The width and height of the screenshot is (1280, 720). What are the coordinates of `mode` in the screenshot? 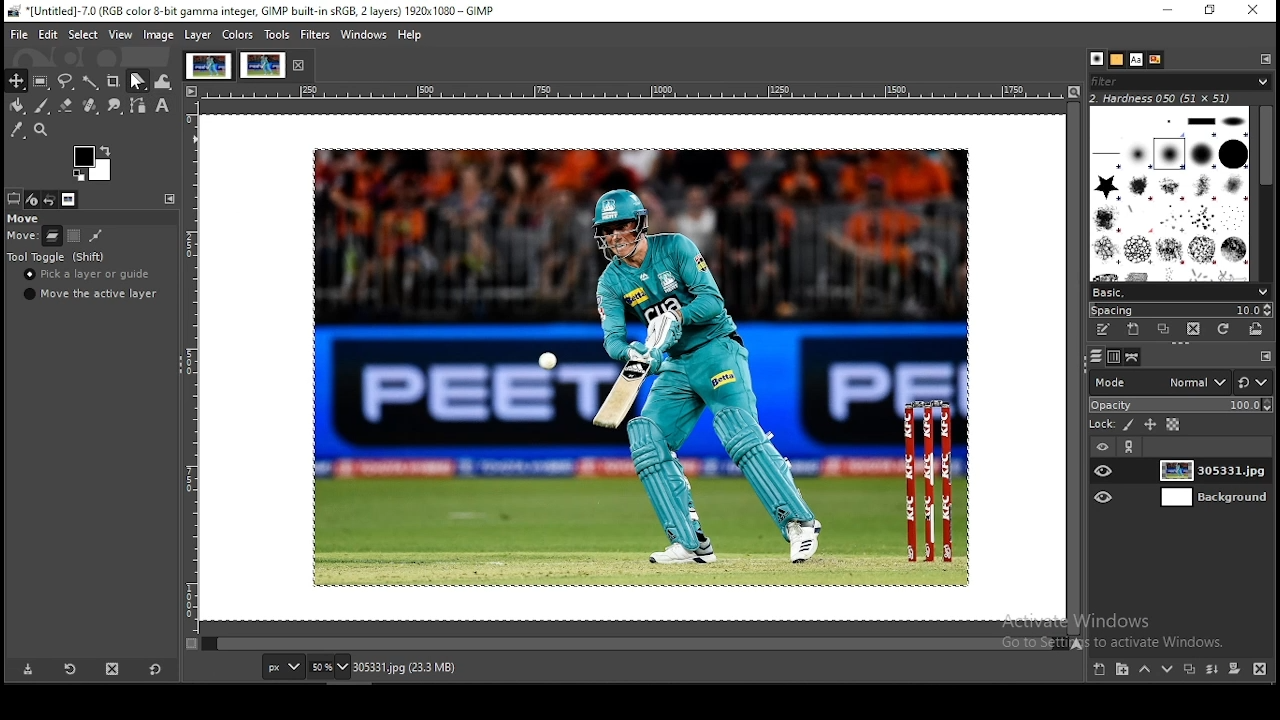 It's located at (1158, 382).